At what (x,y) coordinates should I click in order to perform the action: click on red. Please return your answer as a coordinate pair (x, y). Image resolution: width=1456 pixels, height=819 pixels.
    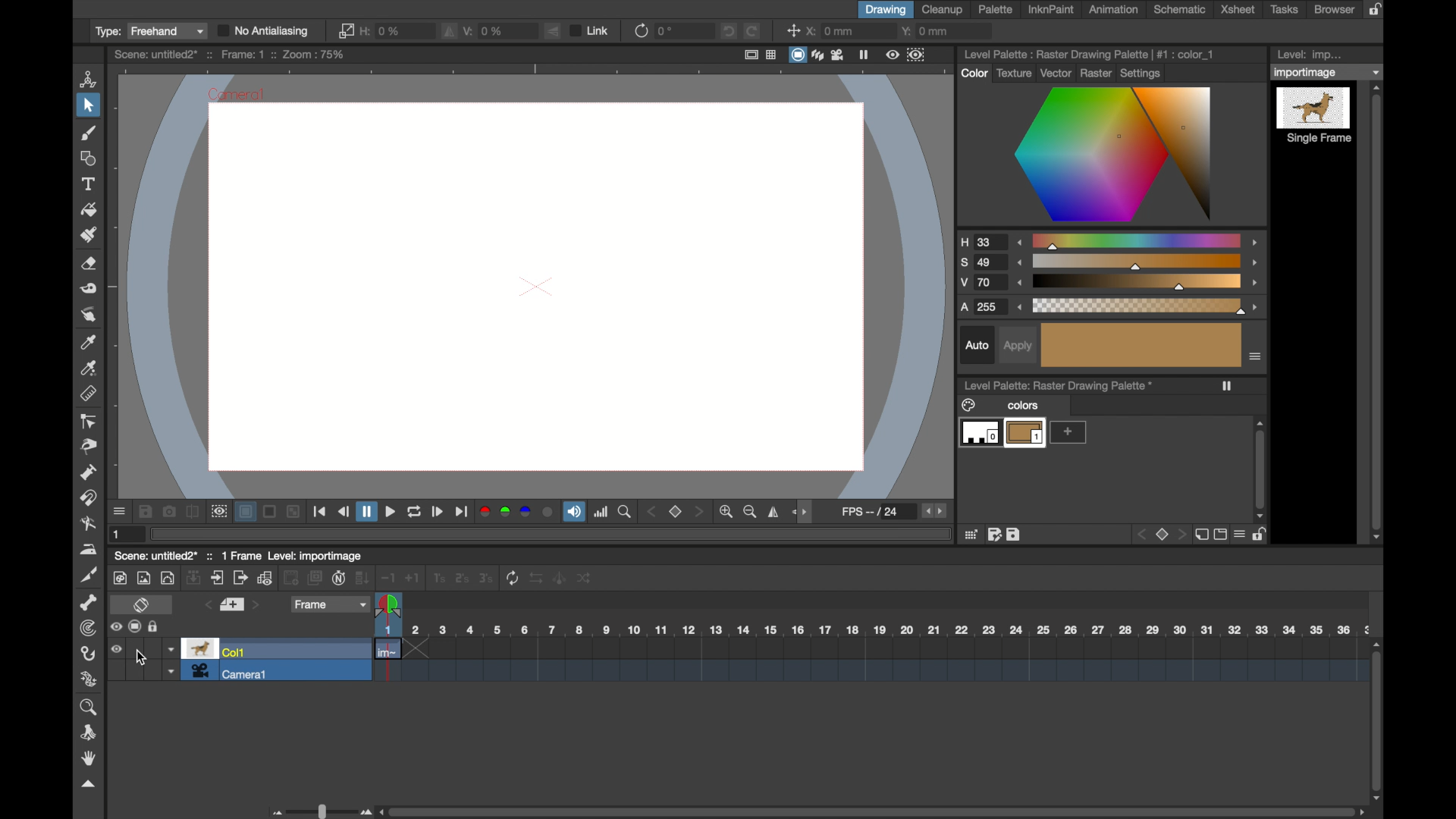
    Looking at the image, I should click on (485, 512).